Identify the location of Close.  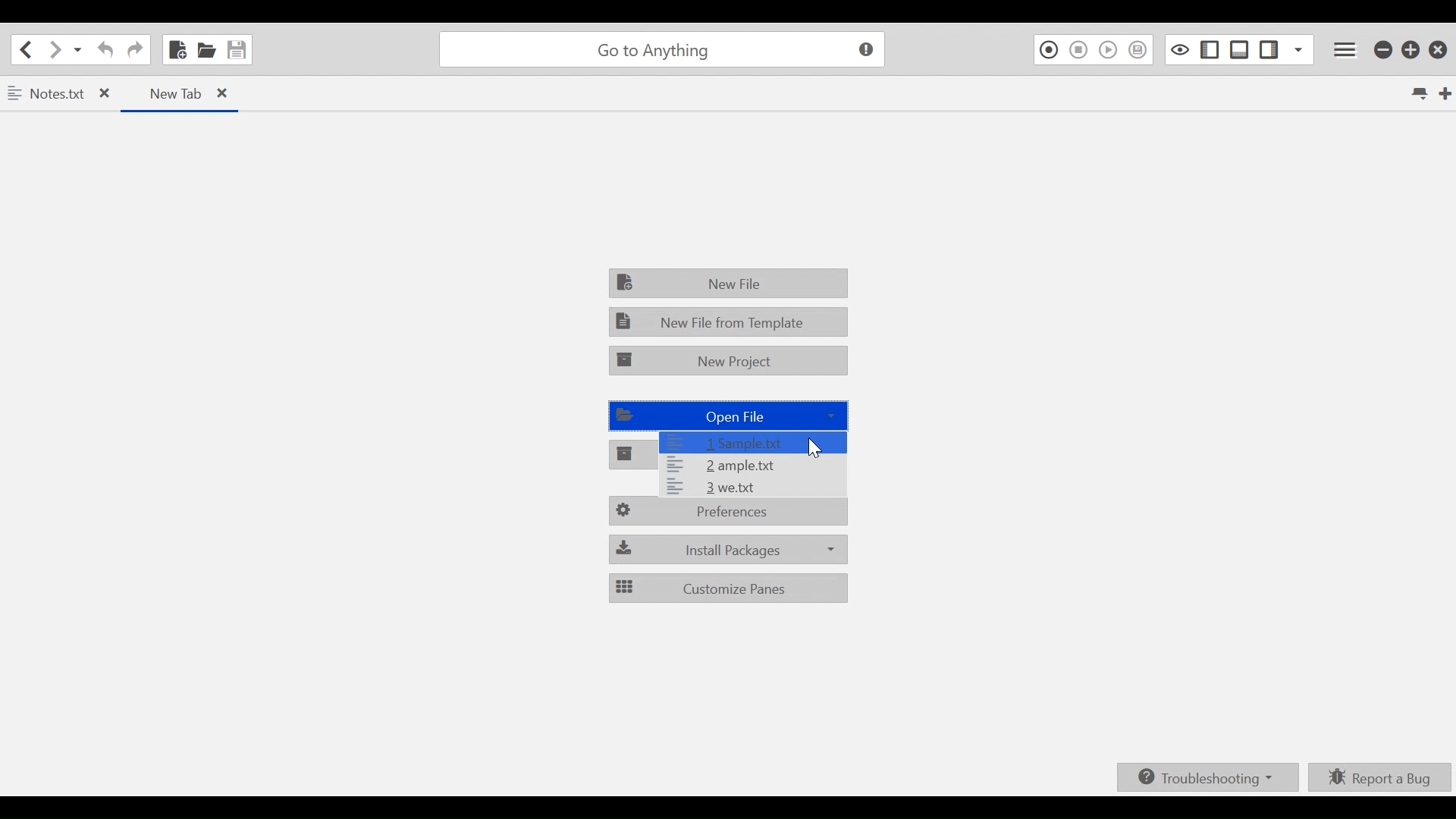
(1439, 51).